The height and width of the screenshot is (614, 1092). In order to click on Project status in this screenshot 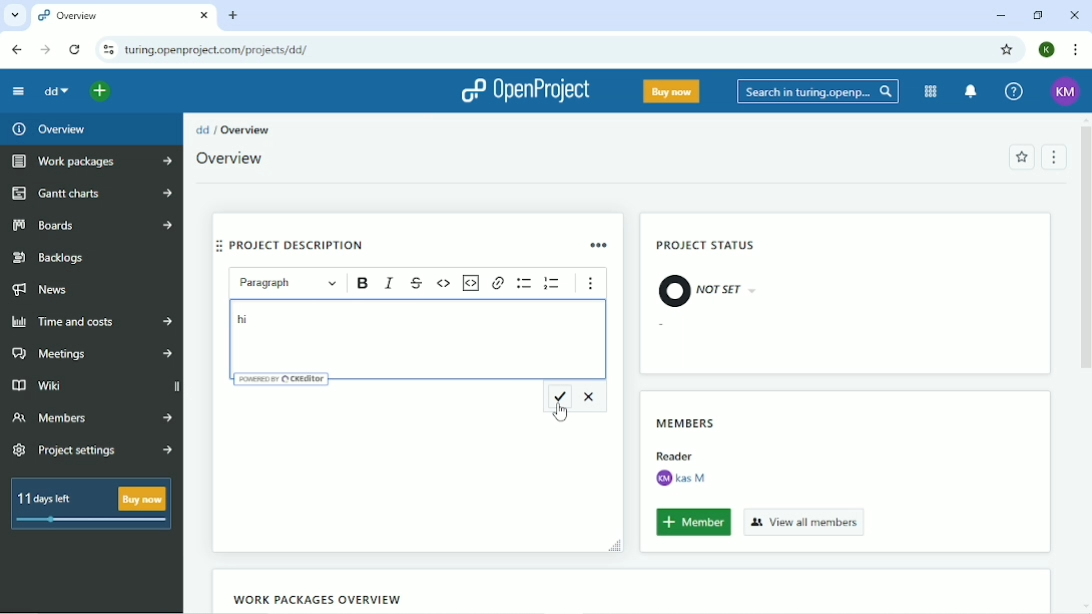, I will do `click(708, 247)`.